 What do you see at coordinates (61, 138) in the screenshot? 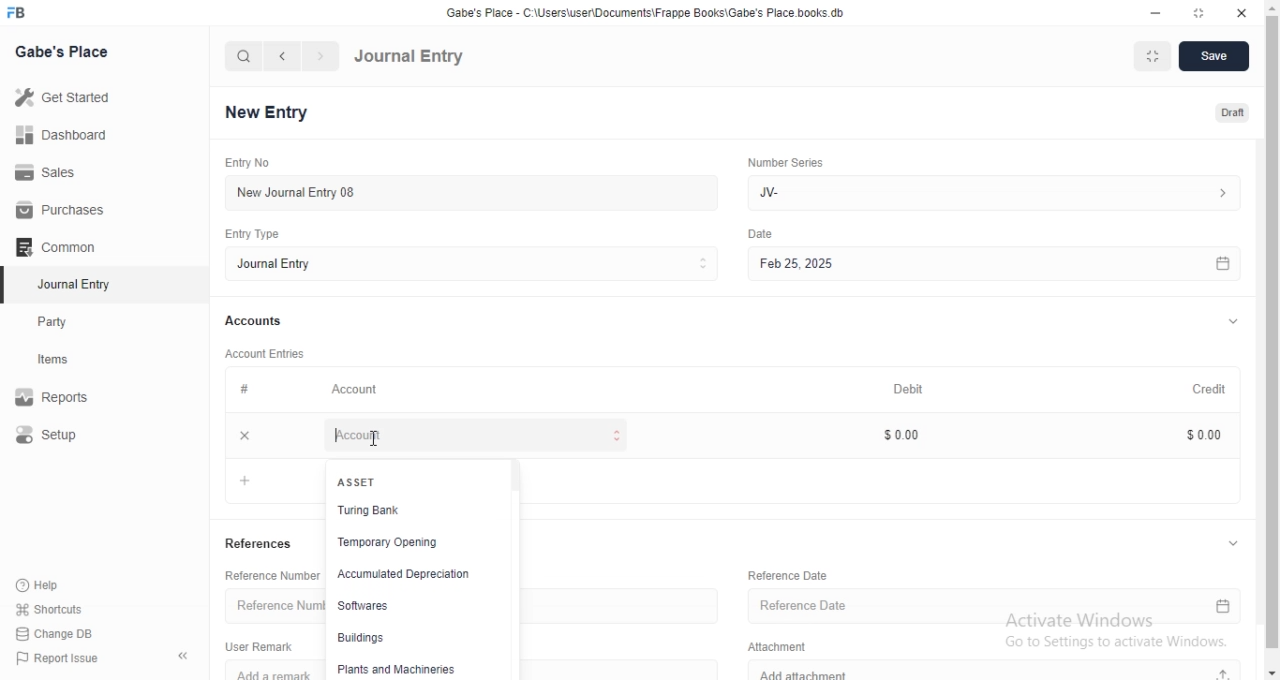
I see `Dashboard` at bounding box center [61, 138].